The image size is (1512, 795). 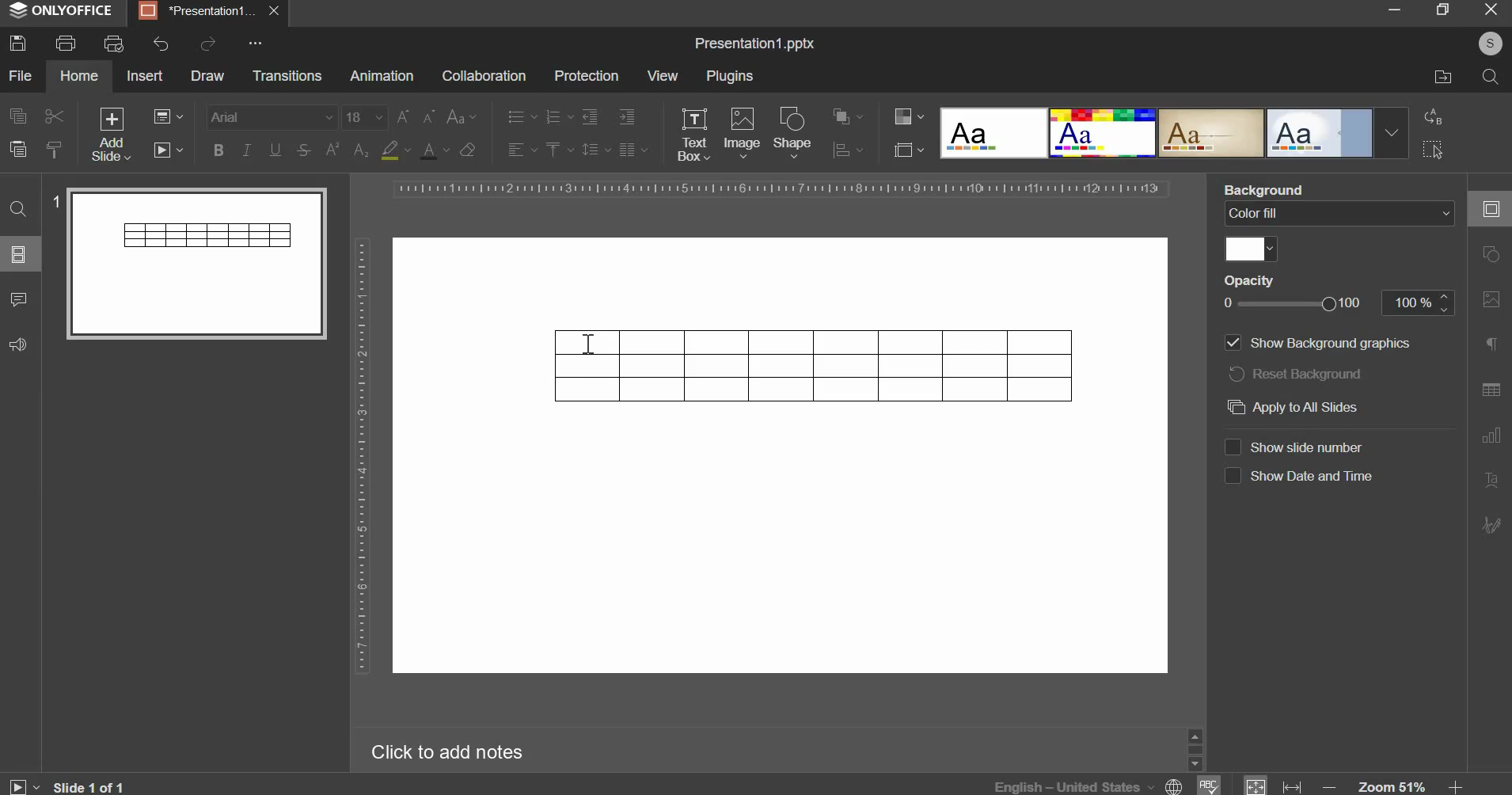 What do you see at coordinates (21, 75) in the screenshot?
I see `file` at bounding box center [21, 75].